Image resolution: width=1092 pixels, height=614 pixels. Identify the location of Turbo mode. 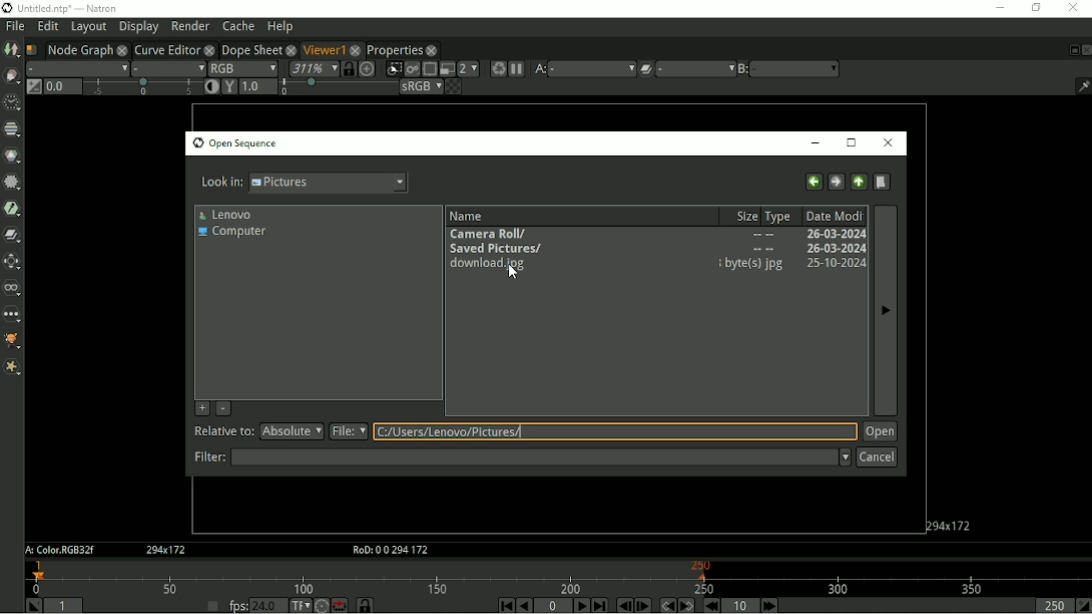
(321, 605).